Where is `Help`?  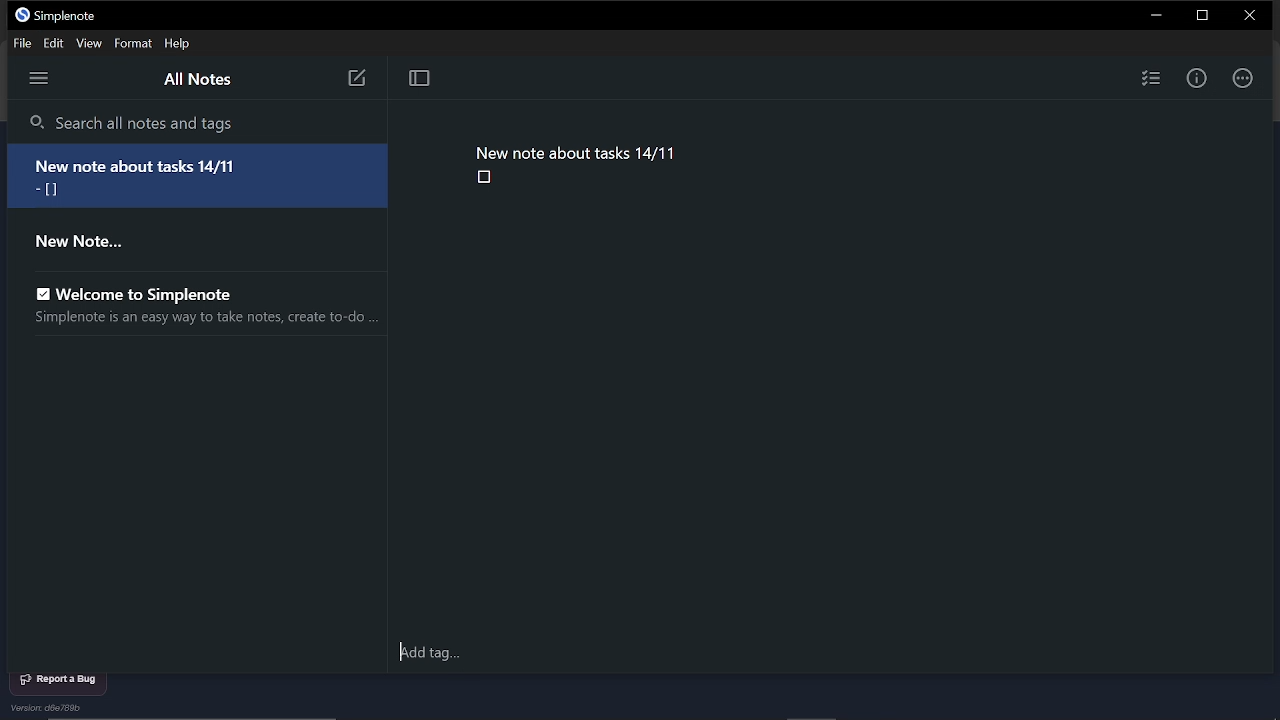 Help is located at coordinates (178, 44).